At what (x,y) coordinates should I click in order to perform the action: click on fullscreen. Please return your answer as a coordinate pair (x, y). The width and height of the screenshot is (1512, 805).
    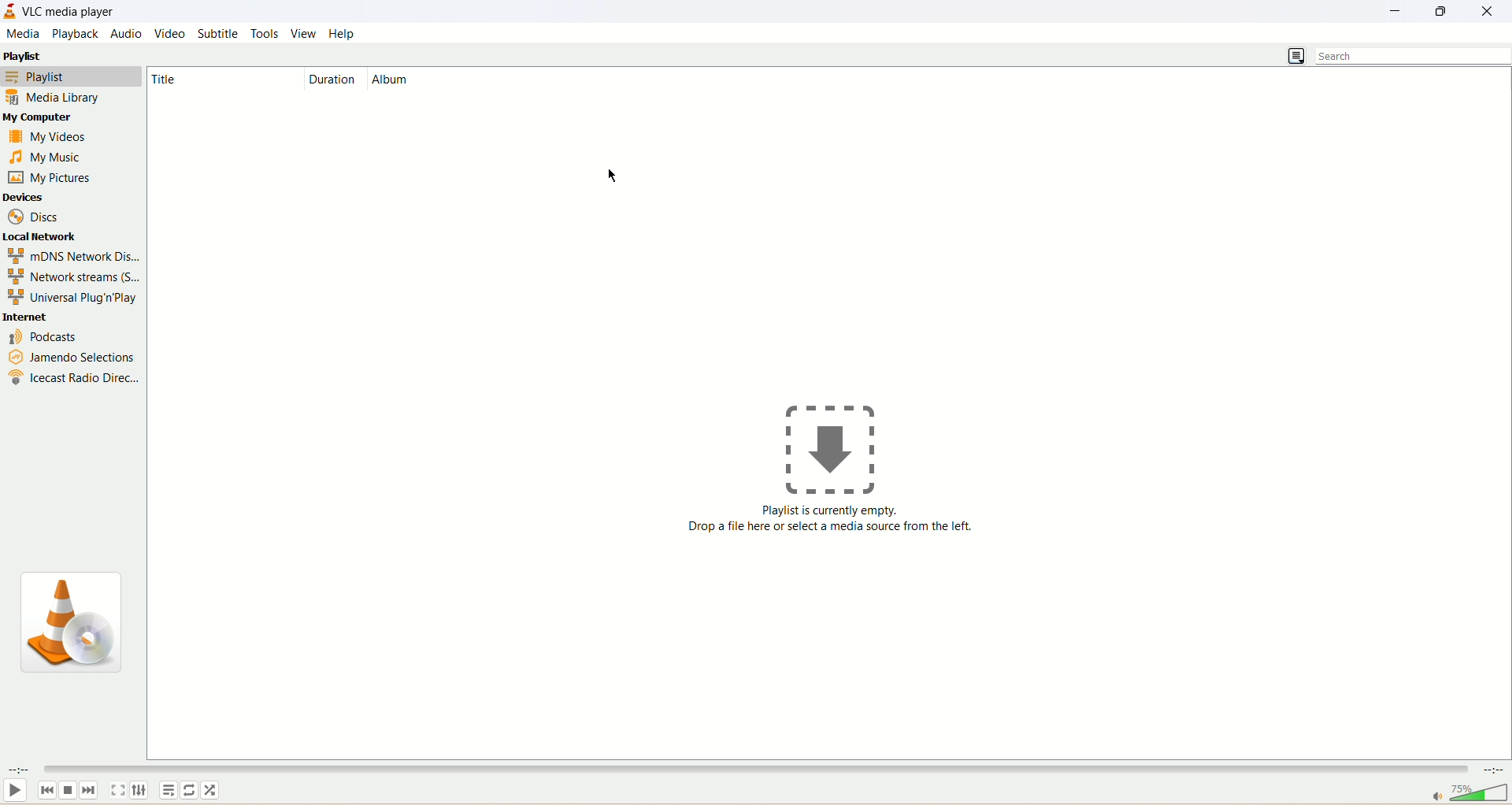
    Looking at the image, I should click on (117, 792).